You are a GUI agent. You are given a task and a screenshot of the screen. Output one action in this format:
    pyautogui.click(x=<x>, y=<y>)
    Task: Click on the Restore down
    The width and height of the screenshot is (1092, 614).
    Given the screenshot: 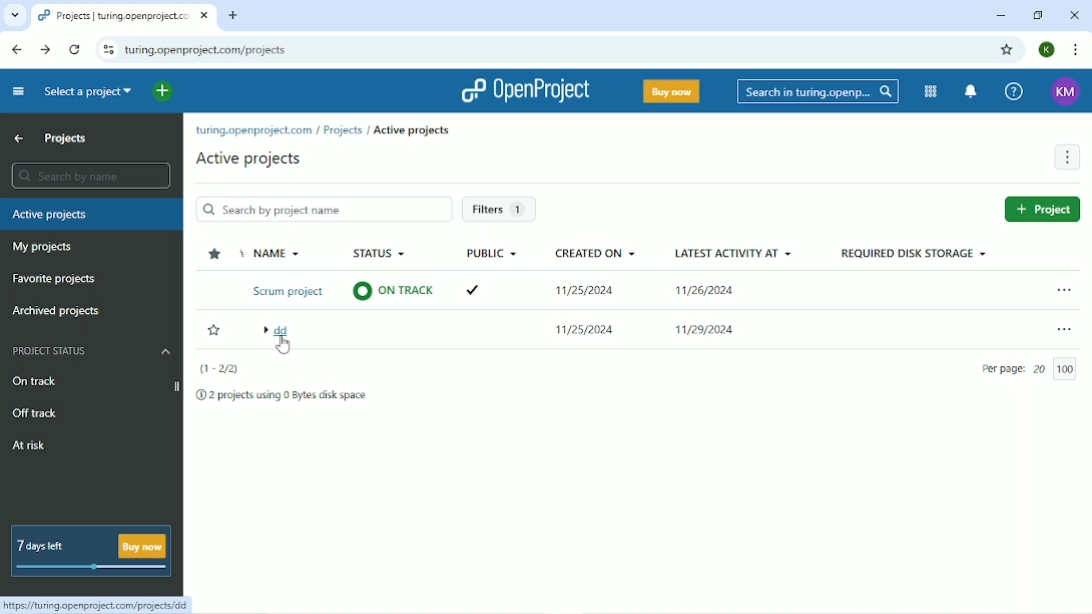 What is the action you would take?
    pyautogui.click(x=1036, y=15)
    